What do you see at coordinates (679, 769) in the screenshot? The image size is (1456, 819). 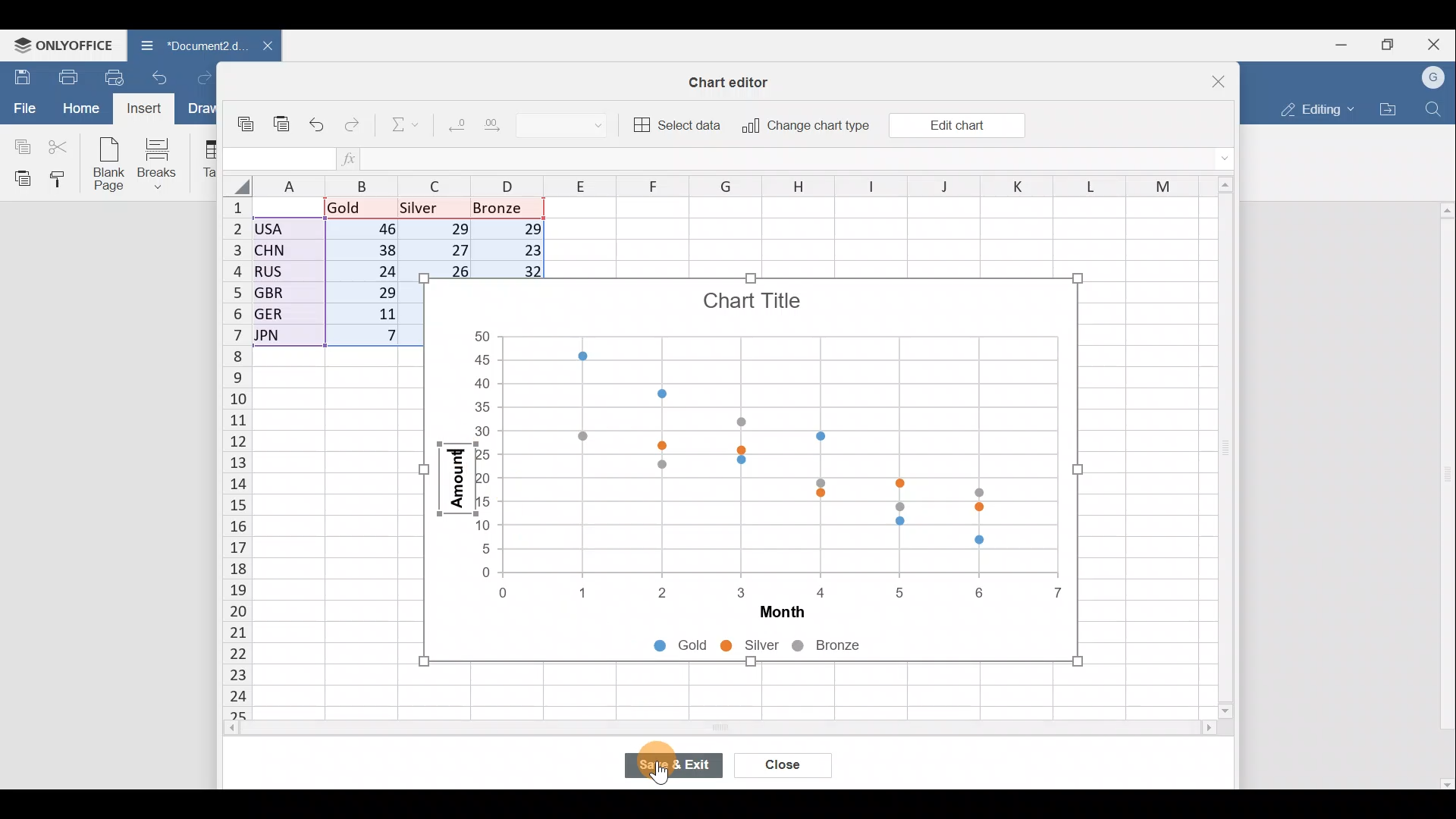 I see `Cursor on Save & exit` at bounding box center [679, 769].